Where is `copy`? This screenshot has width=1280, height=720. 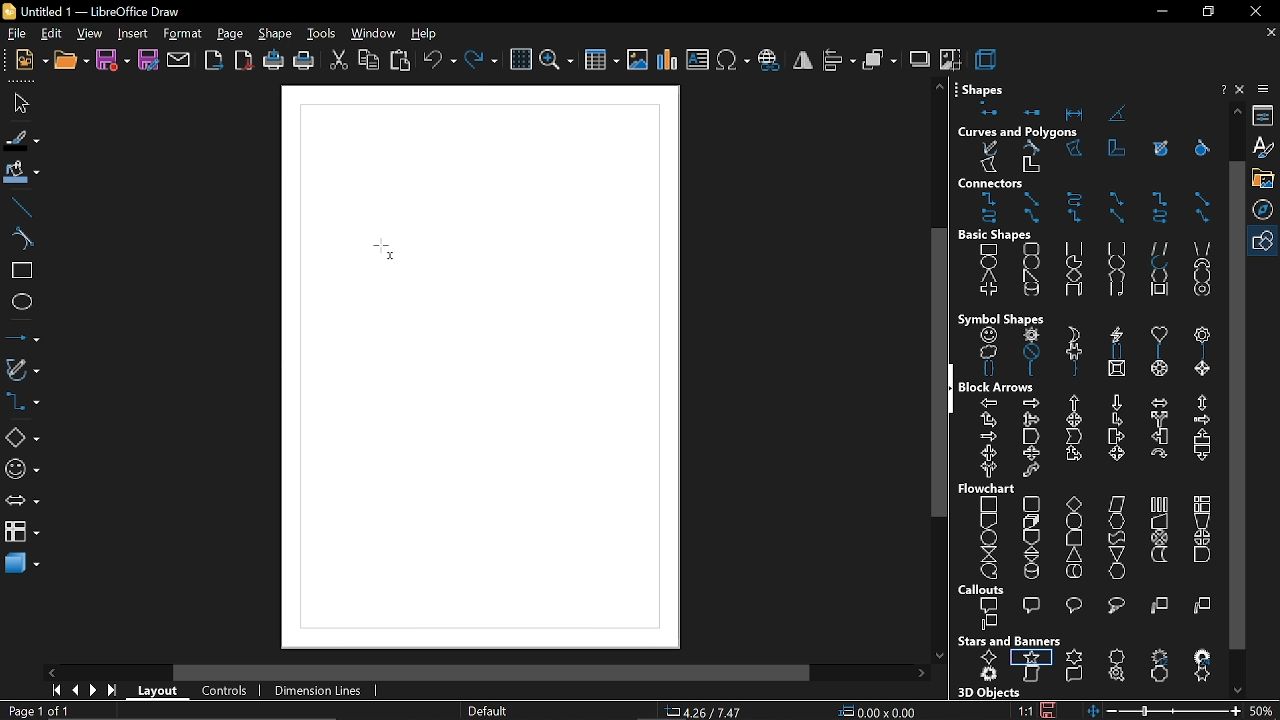
copy is located at coordinates (368, 61).